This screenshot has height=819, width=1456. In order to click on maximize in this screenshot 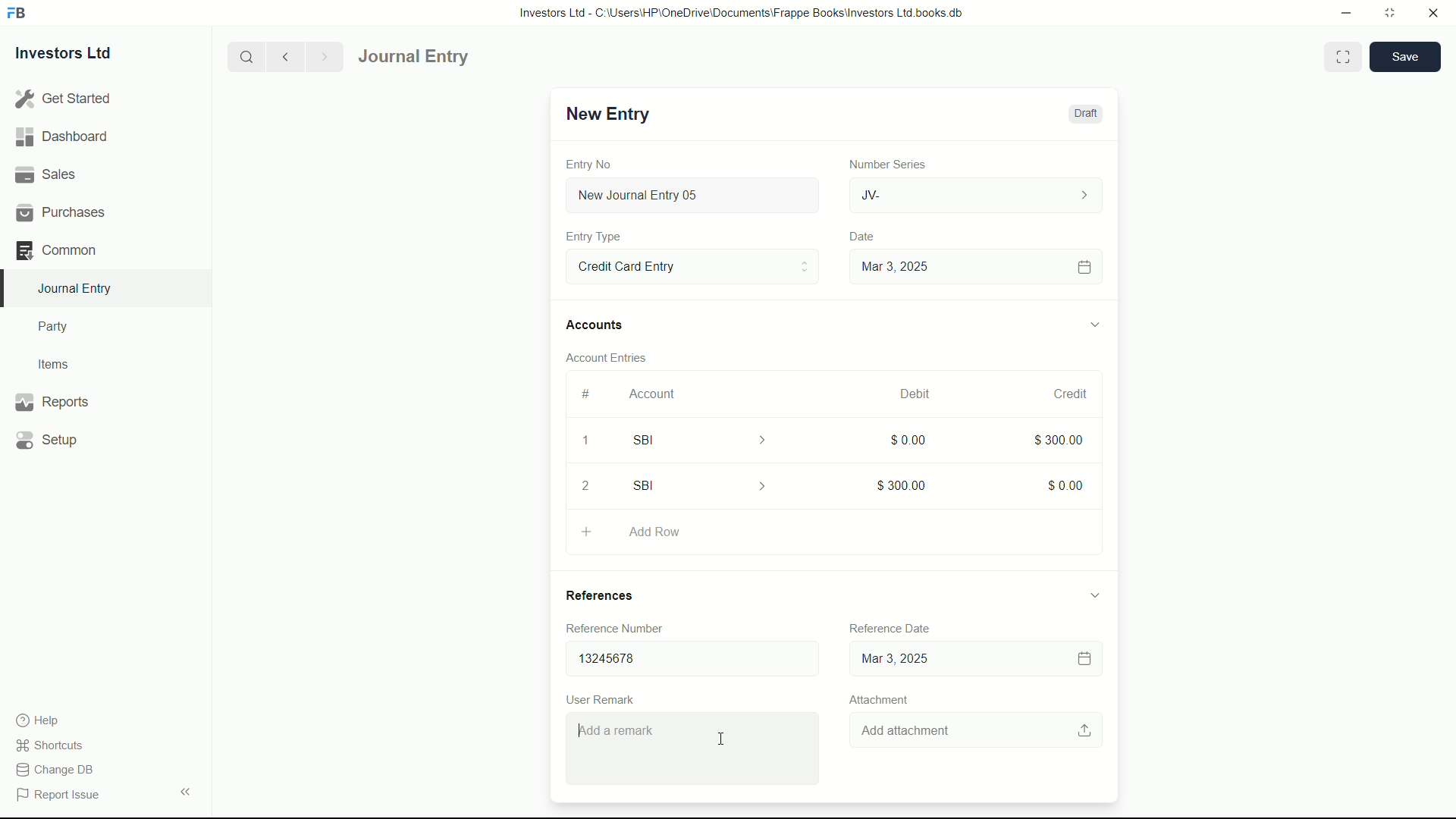, I will do `click(1389, 11)`.